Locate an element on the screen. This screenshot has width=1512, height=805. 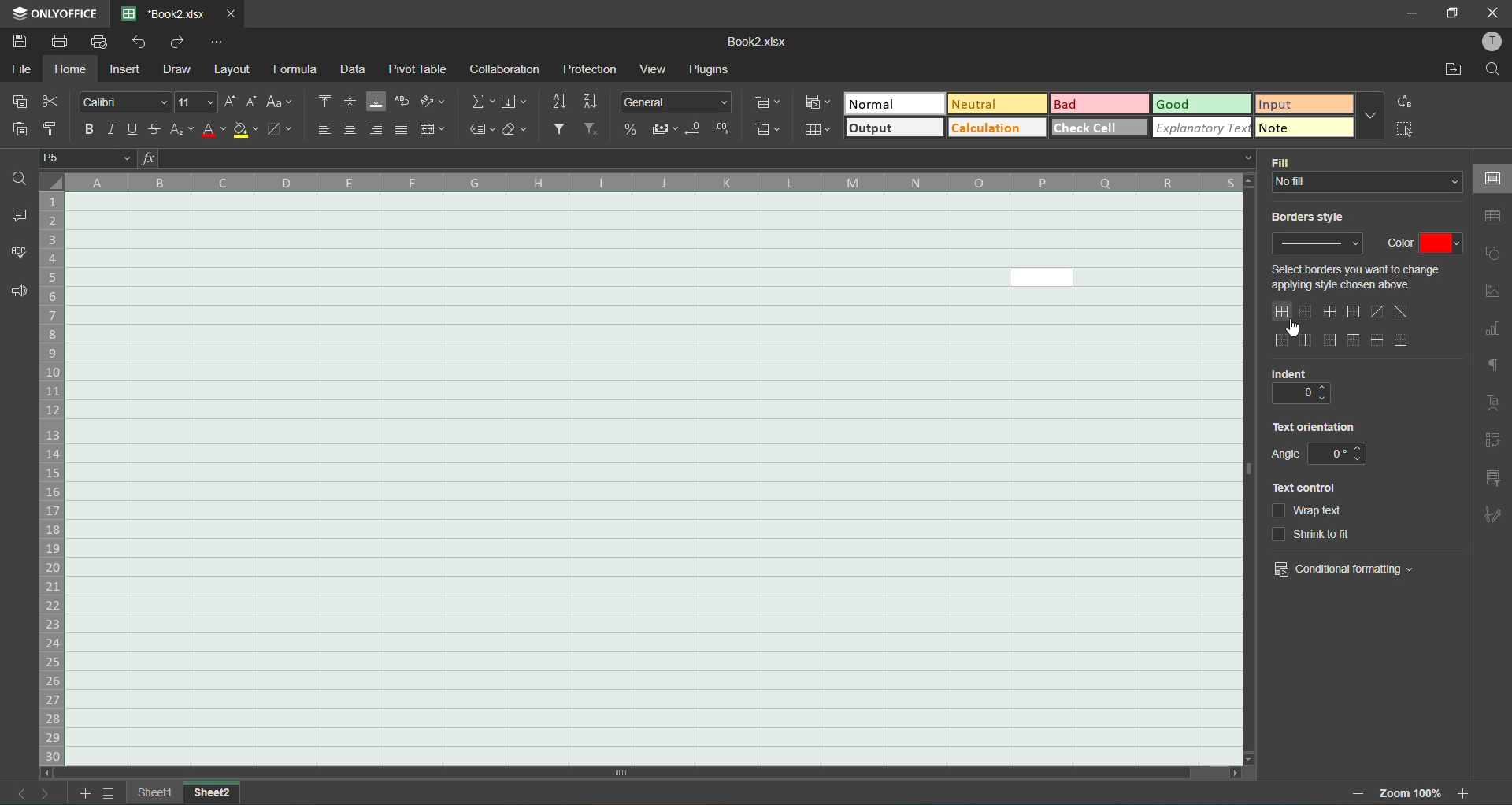
home is located at coordinates (75, 72).